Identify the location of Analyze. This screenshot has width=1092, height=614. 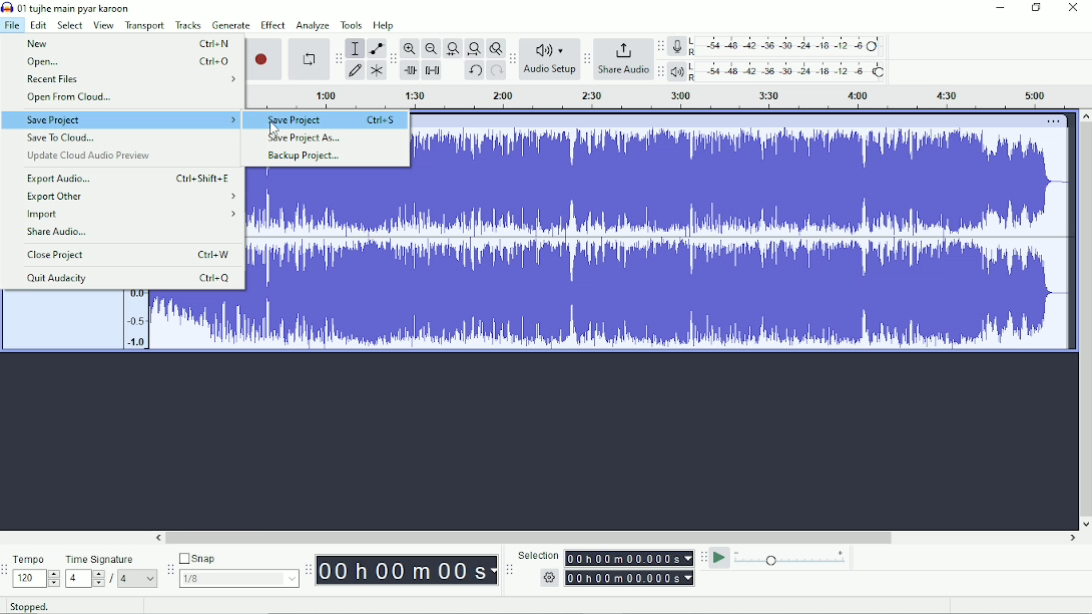
(313, 25).